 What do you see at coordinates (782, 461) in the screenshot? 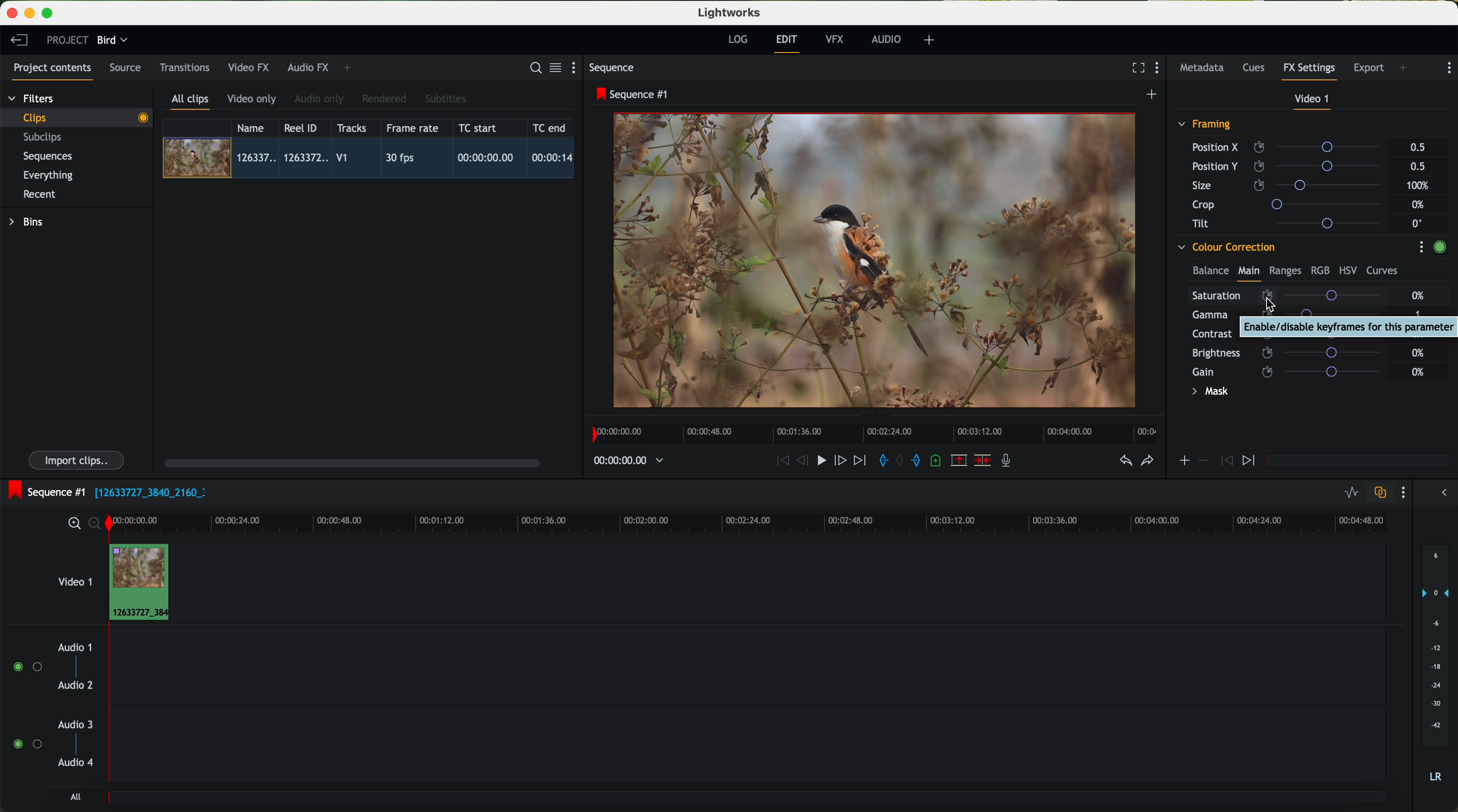
I see `rewind` at bounding box center [782, 461].